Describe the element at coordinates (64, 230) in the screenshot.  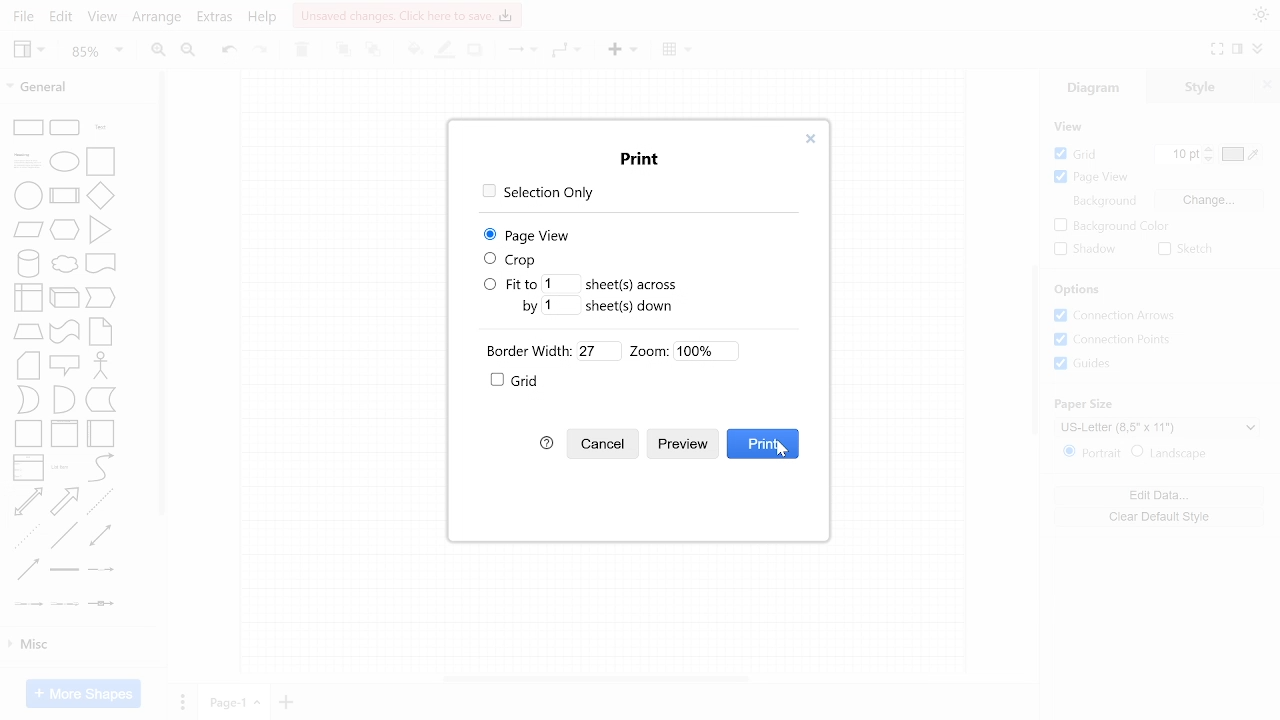
I see `Hexagon` at that location.